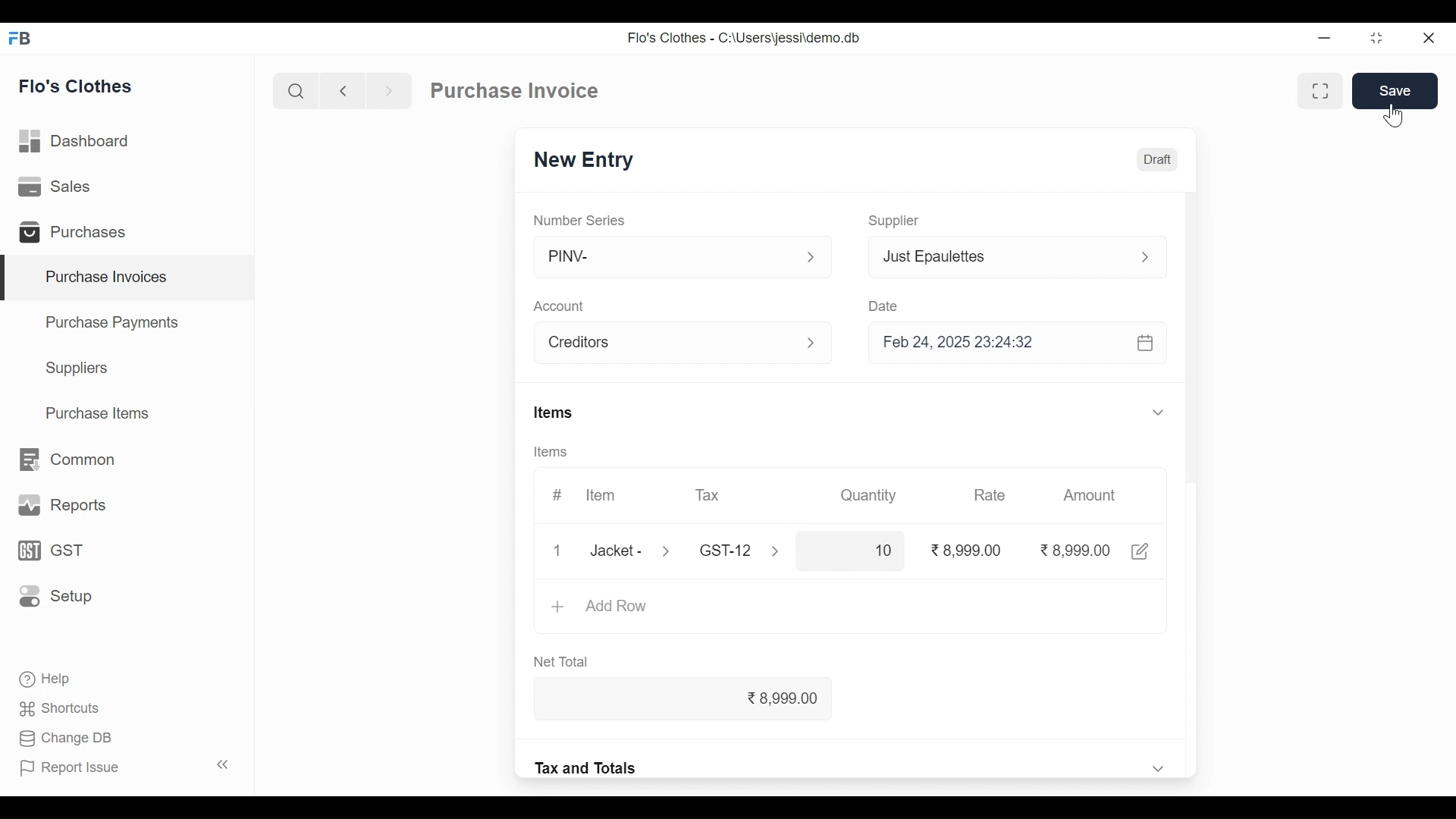 The height and width of the screenshot is (819, 1456). What do you see at coordinates (853, 549) in the screenshot?
I see `10` at bounding box center [853, 549].